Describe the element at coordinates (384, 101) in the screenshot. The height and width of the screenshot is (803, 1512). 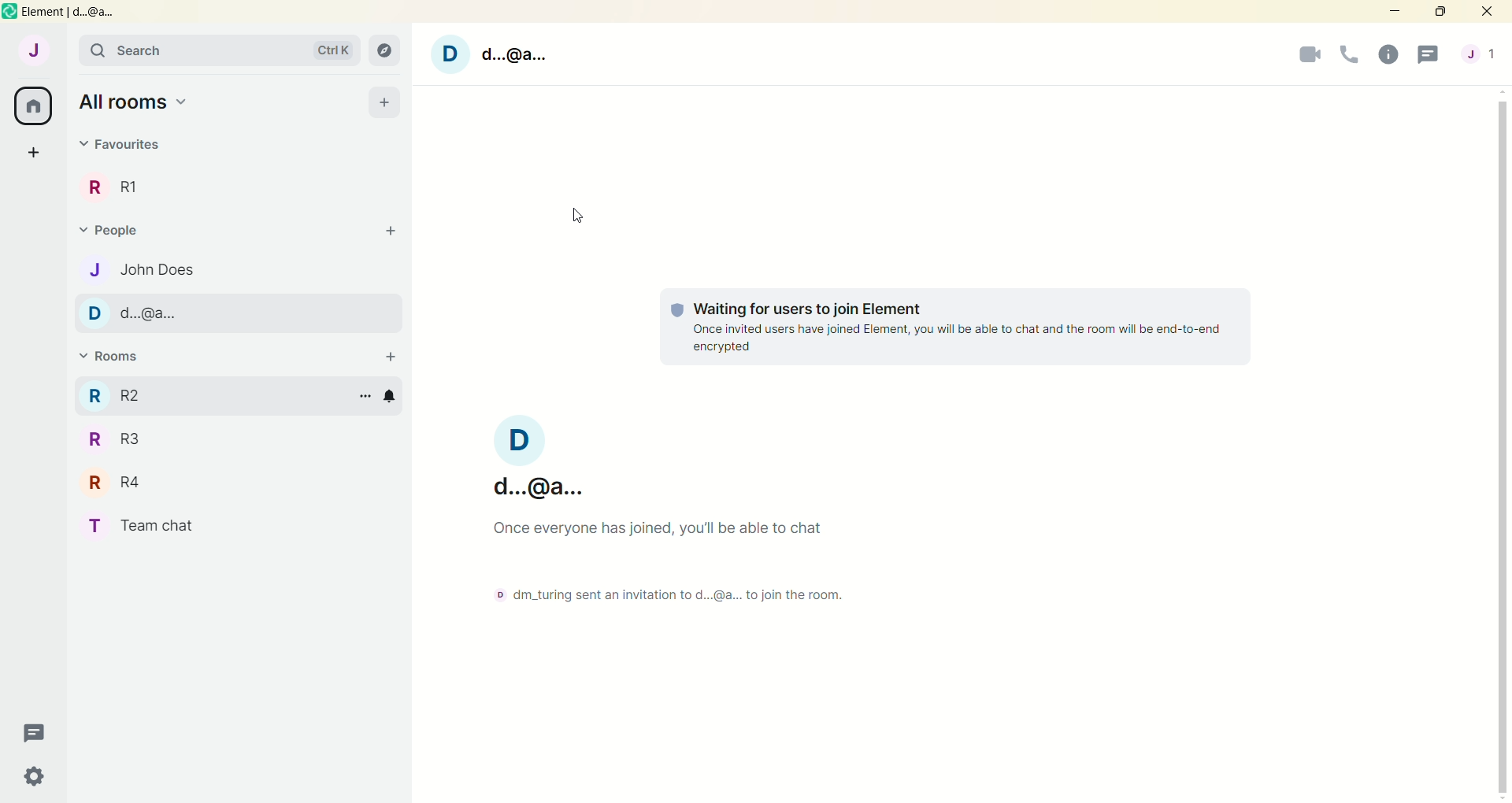
I see `Add All rooms` at that location.